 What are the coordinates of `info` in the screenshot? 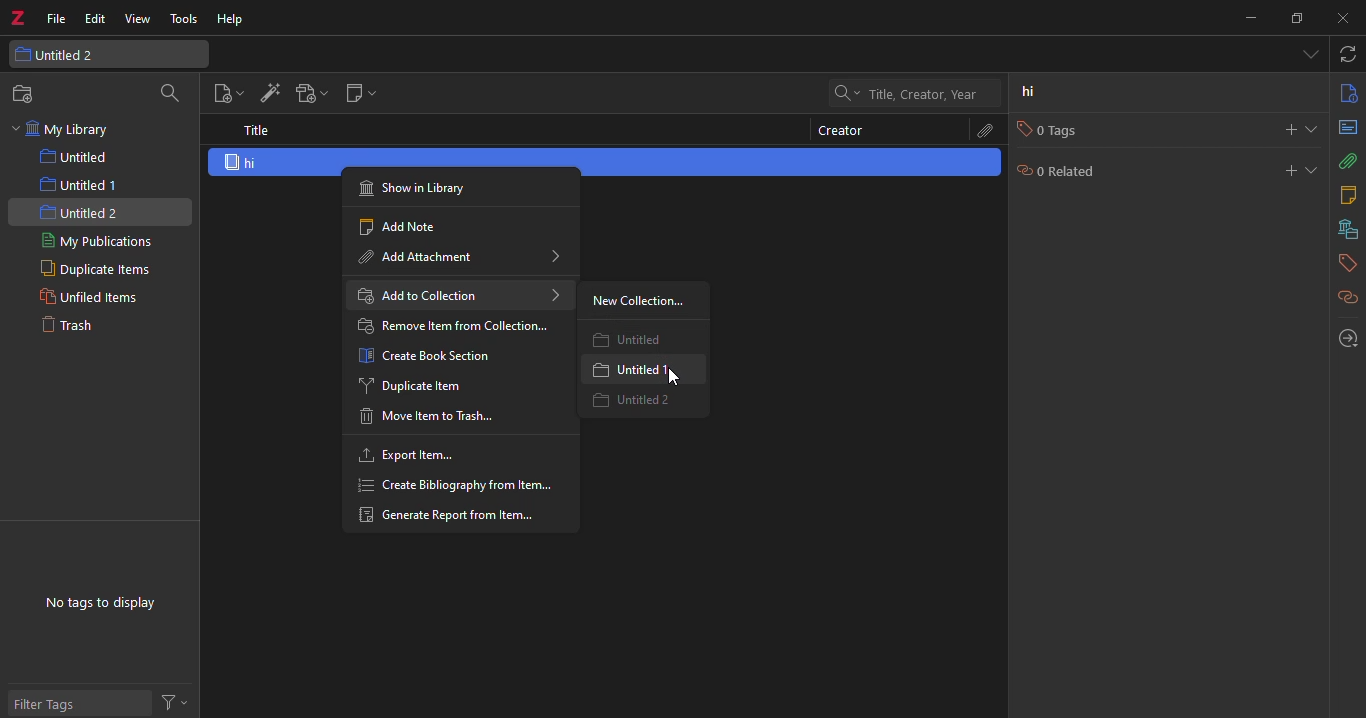 It's located at (1344, 94).